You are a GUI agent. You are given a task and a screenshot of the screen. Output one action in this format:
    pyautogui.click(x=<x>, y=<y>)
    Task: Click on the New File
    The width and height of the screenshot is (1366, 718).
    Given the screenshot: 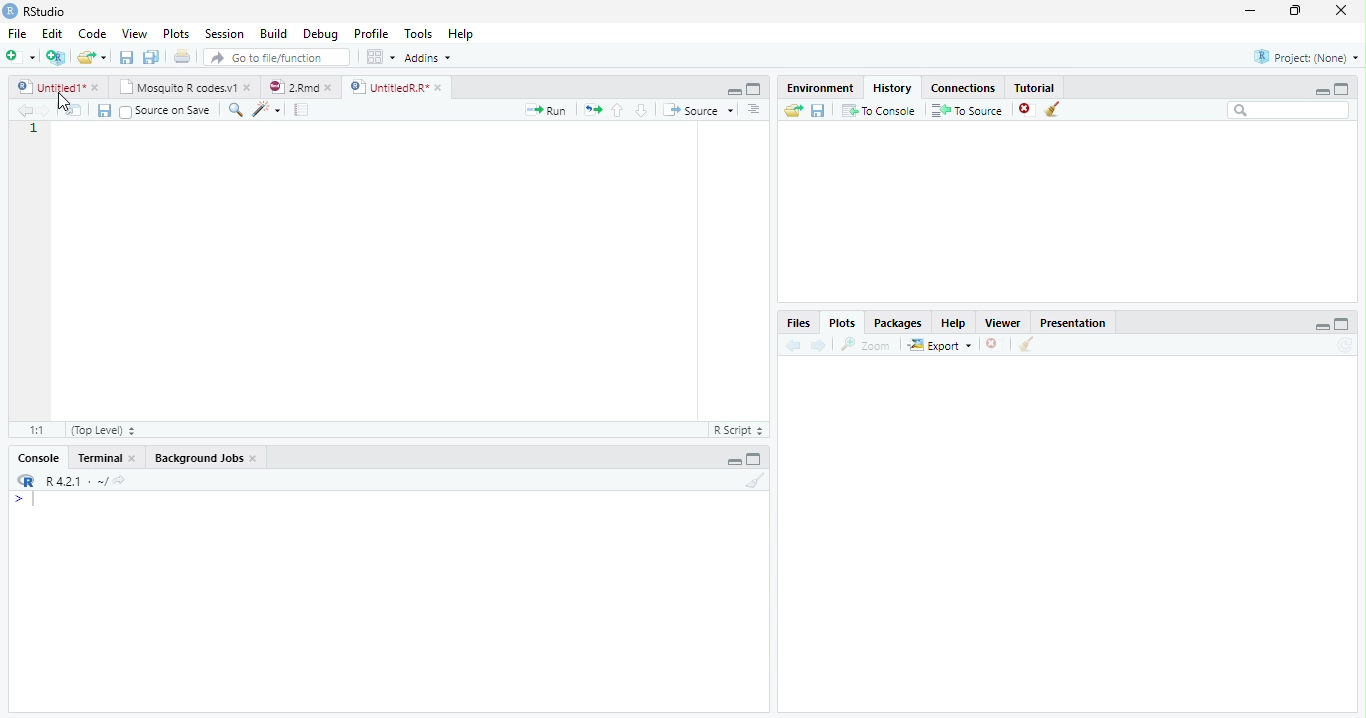 What is the action you would take?
    pyautogui.click(x=21, y=57)
    